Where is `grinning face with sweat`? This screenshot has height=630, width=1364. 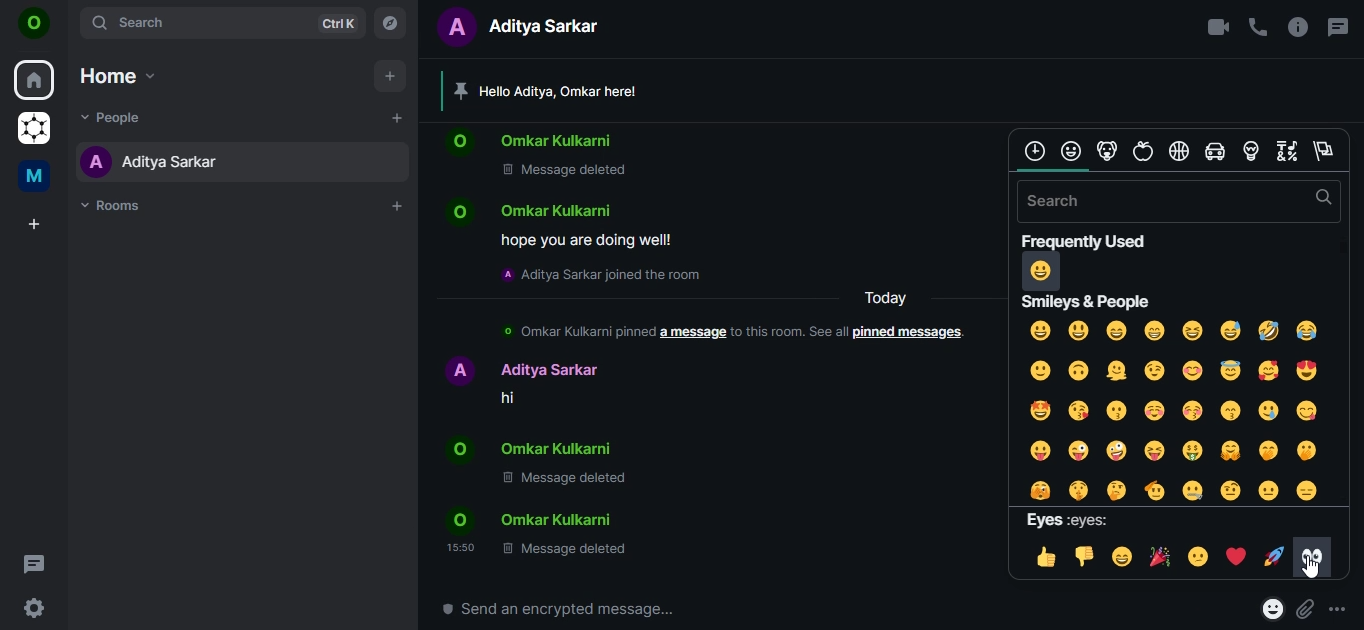 grinning face with sweat is located at coordinates (1231, 332).